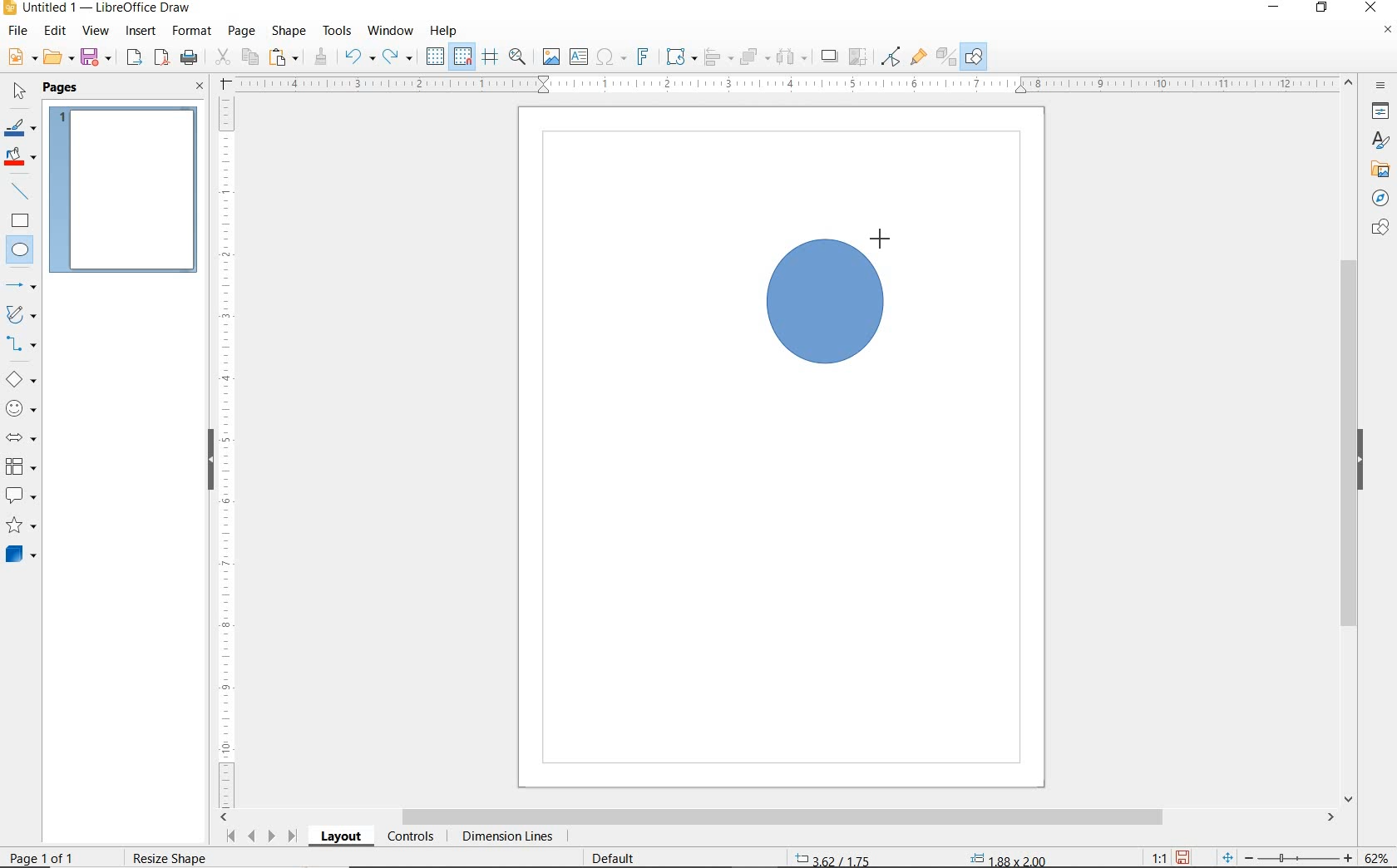 The height and width of the screenshot is (868, 1397). What do you see at coordinates (1377, 855) in the screenshot?
I see `ZOOM FACTOR` at bounding box center [1377, 855].